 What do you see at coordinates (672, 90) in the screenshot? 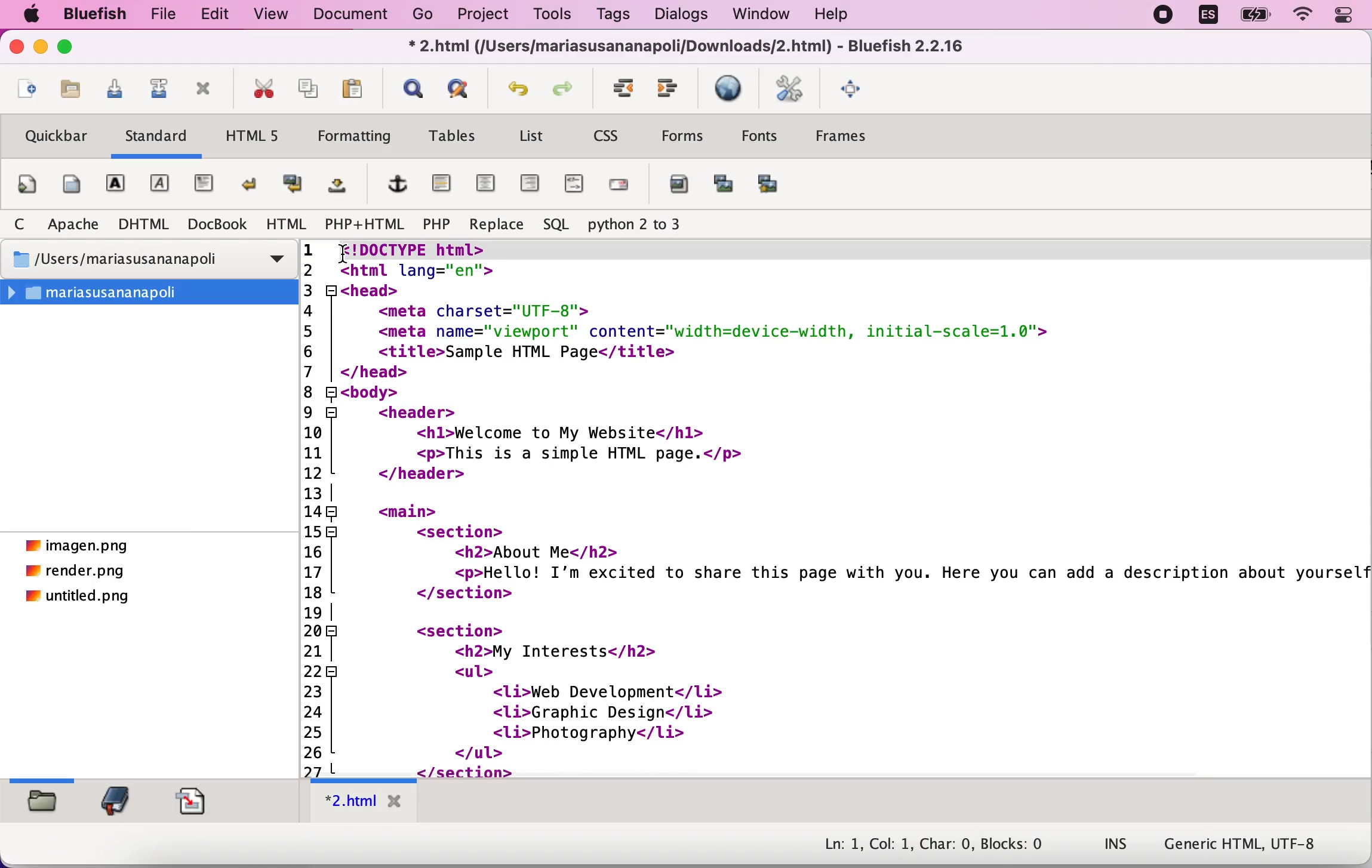
I see `indent` at bounding box center [672, 90].